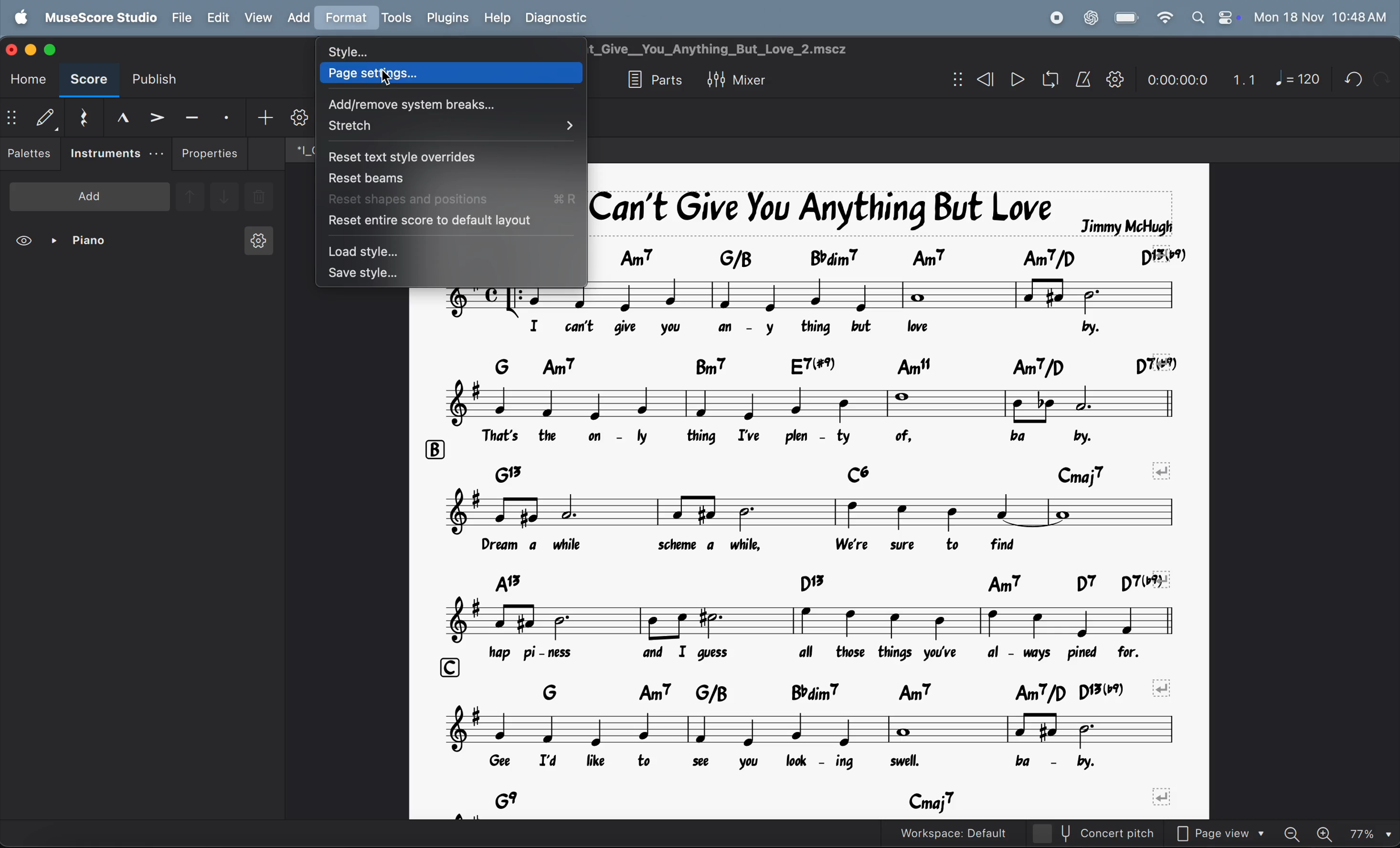 The width and height of the screenshot is (1400, 848). What do you see at coordinates (118, 117) in the screenshot?
I see `marcato` at bounding box center [118, 117].